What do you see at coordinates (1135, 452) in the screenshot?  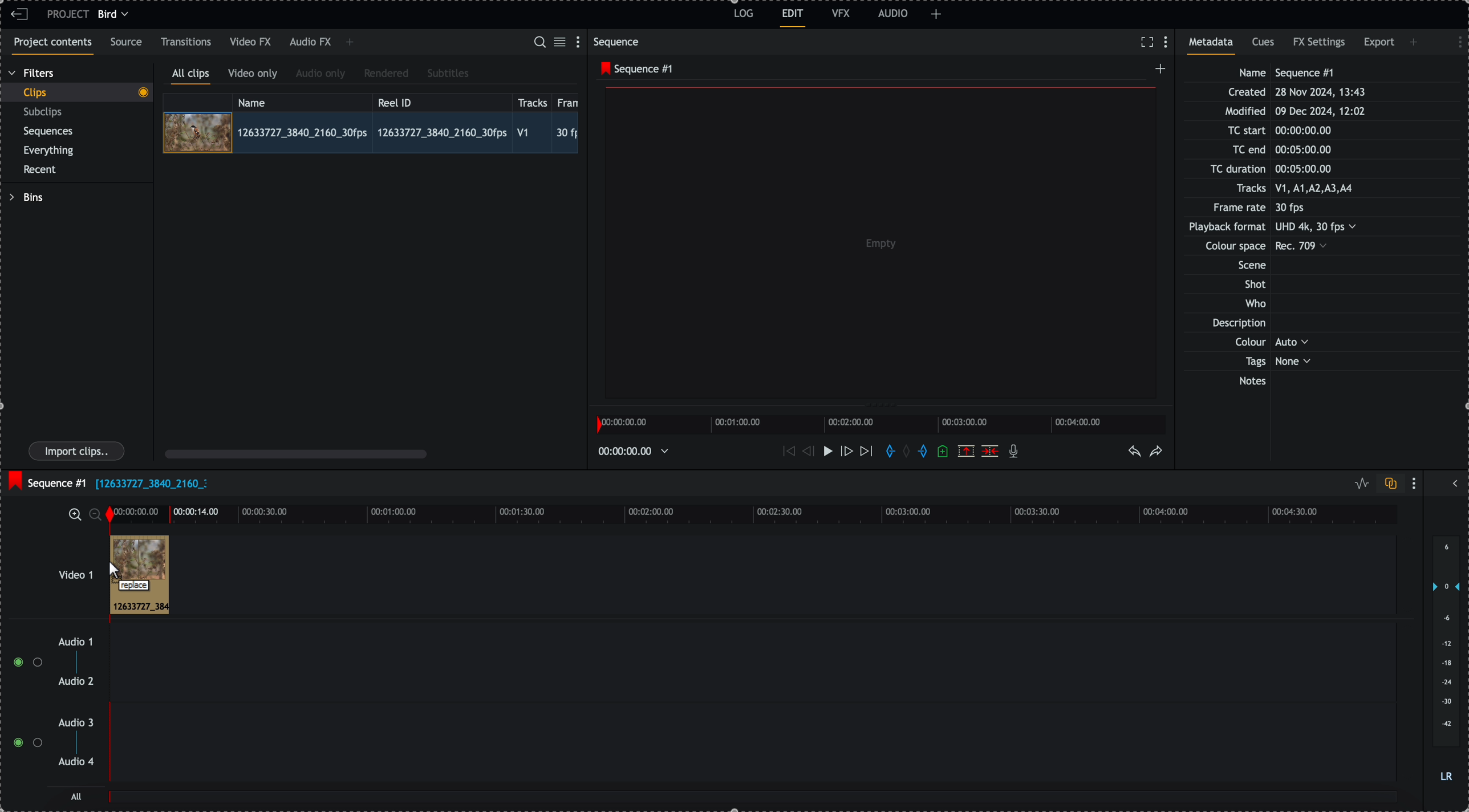 I see `undo` at bounding box center [1135, 452].